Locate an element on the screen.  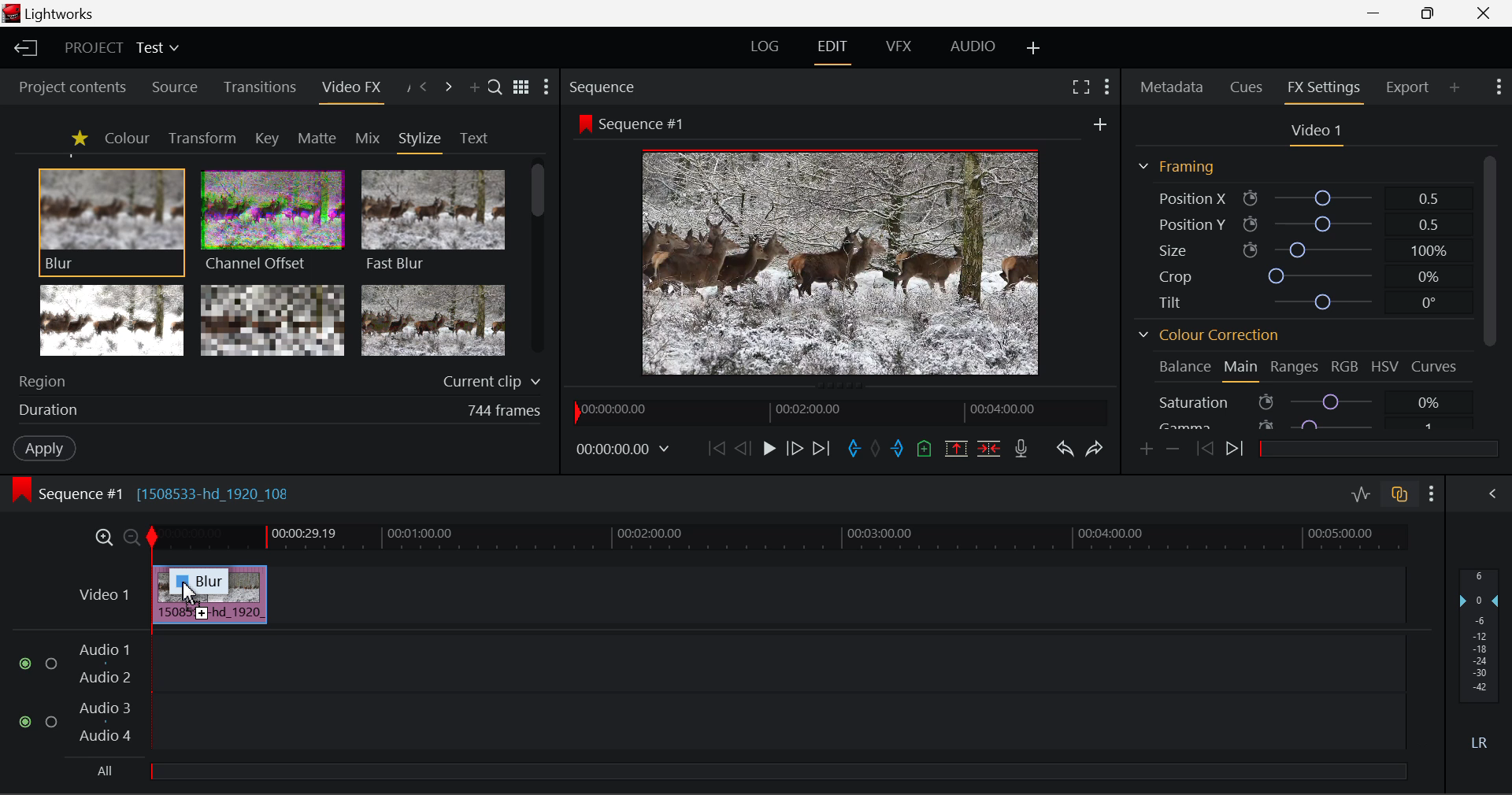
FX Settings Panel Open is located at coordinates (1321, 90).